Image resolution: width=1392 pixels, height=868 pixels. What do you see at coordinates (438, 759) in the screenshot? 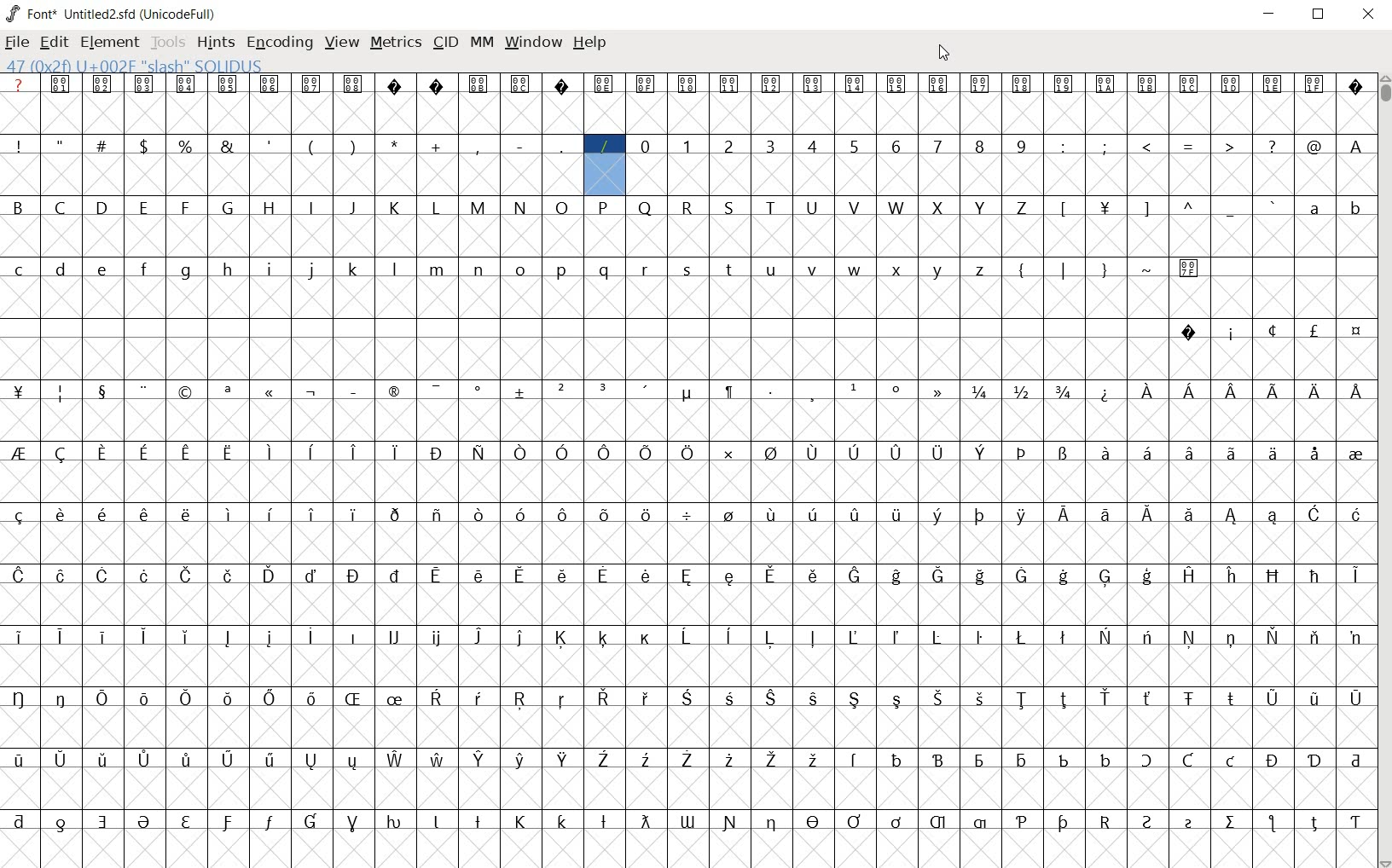
I see `glyph` at bounding box center [438, 759].